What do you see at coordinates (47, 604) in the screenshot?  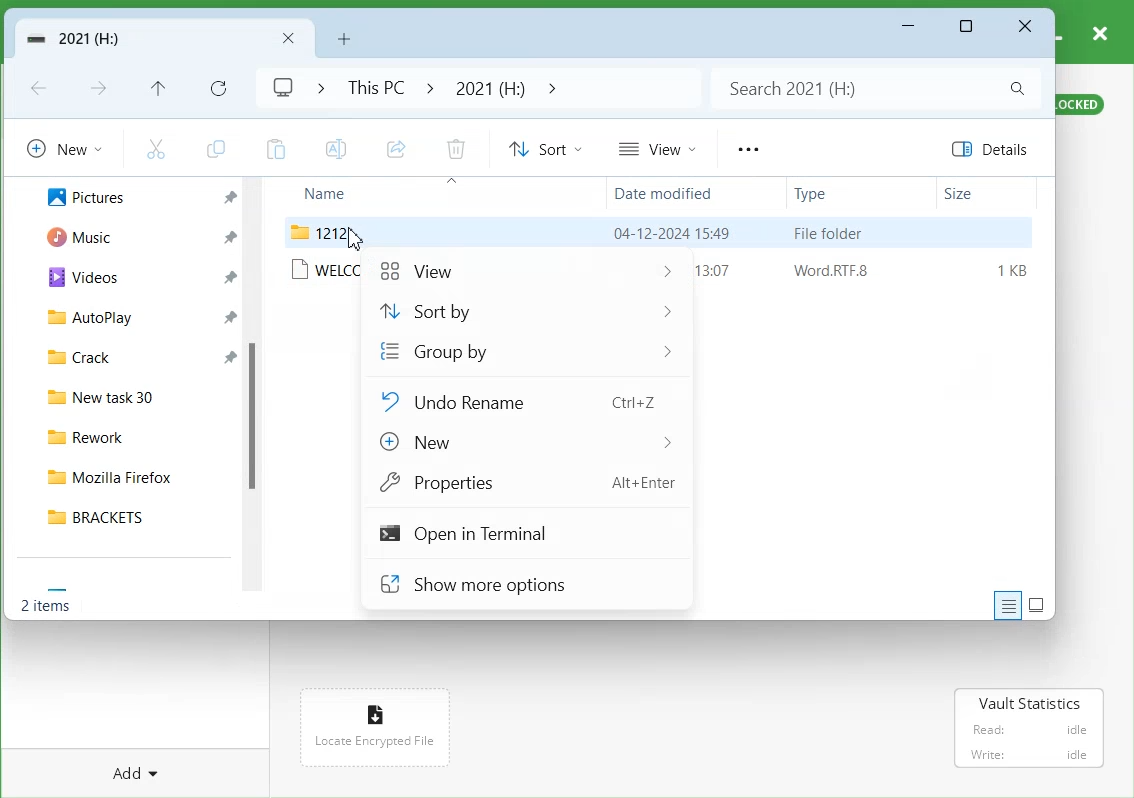 I see `Text` at bounding box center [47, 604].